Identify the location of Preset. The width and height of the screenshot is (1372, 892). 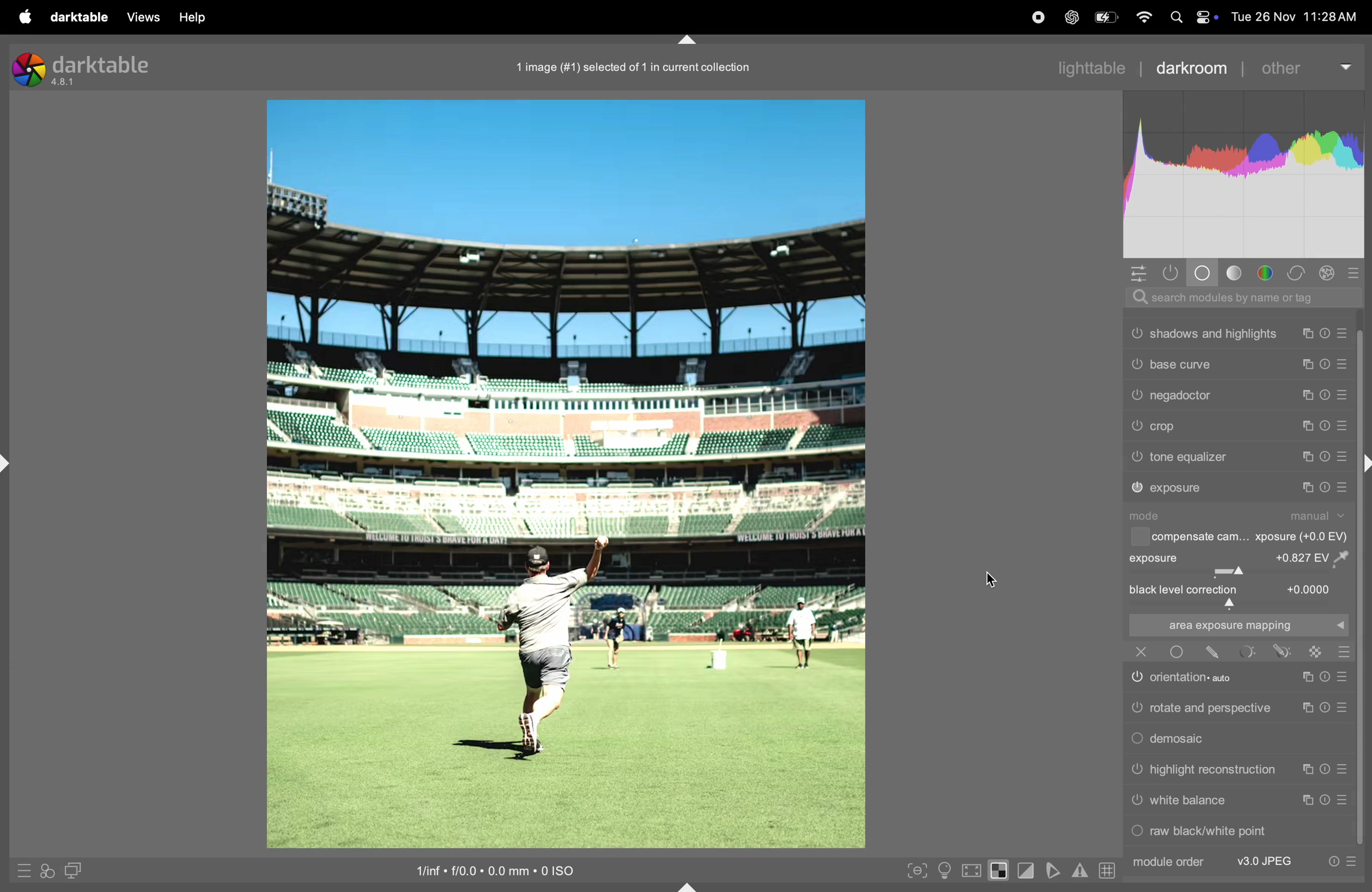
(1344, 770).